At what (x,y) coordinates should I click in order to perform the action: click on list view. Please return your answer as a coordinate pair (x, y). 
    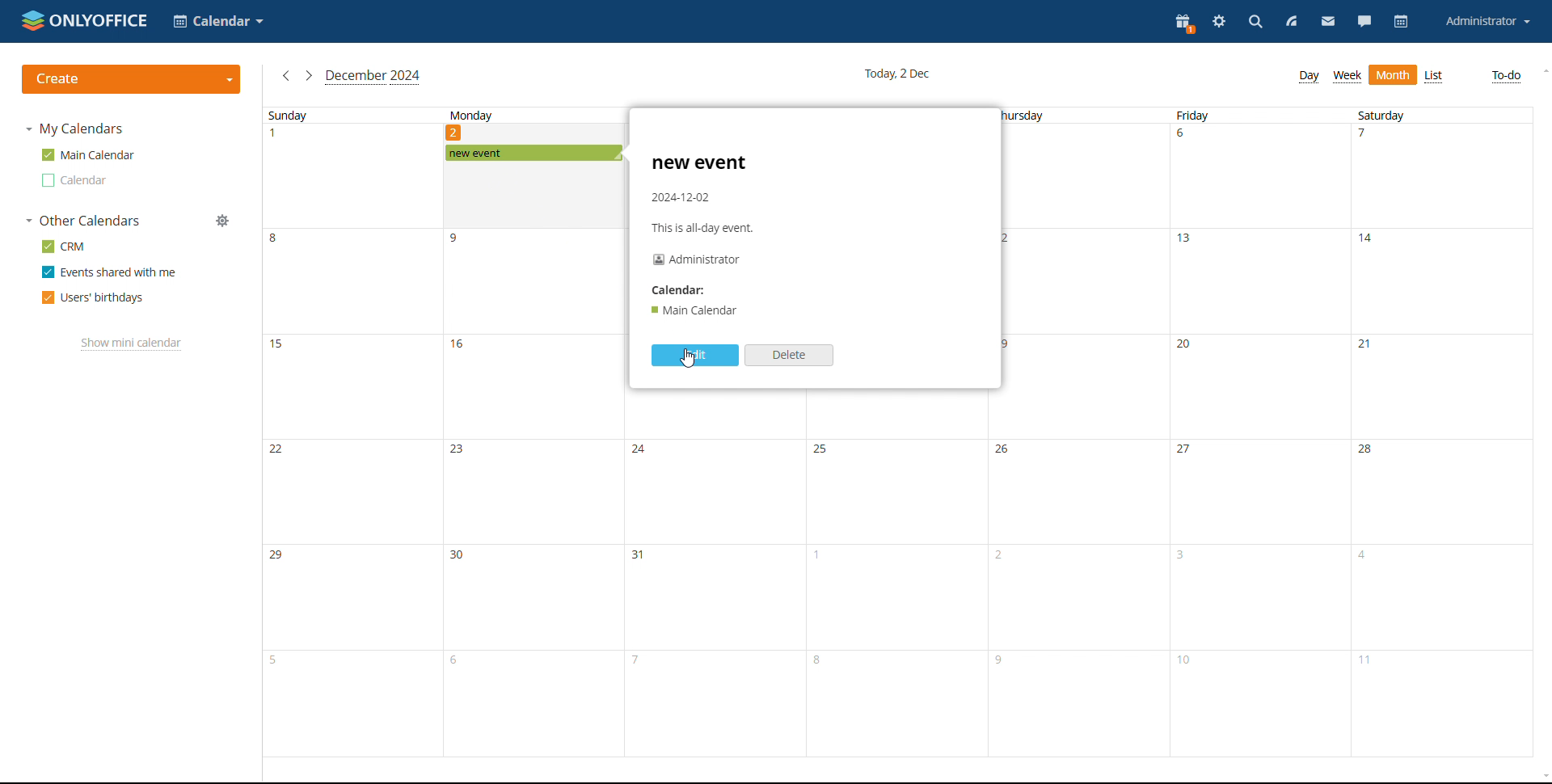
    Looking at the image, I should click on (1435, 76).